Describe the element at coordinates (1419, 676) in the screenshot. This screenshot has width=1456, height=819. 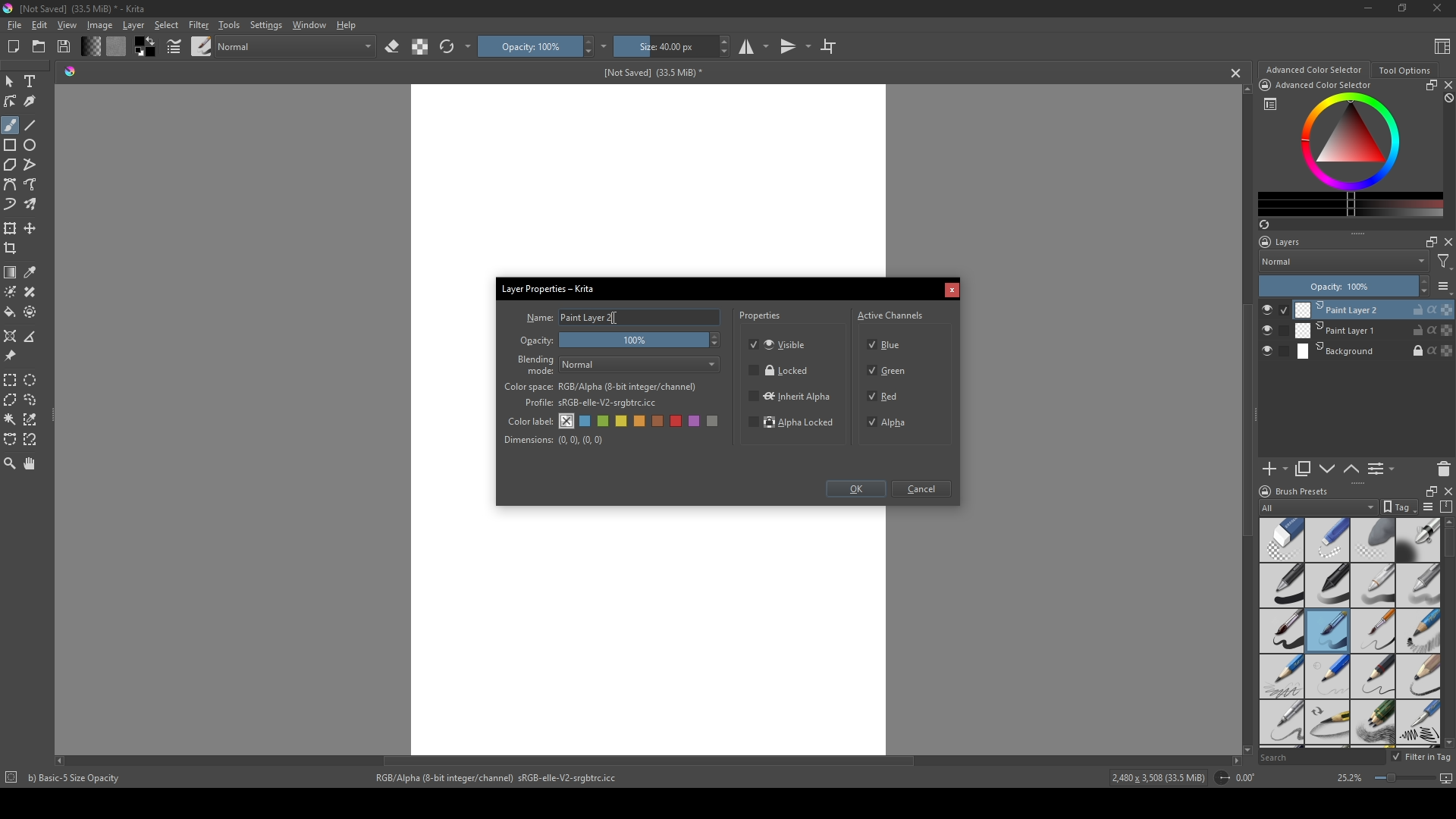
I see `pencil` at that location.